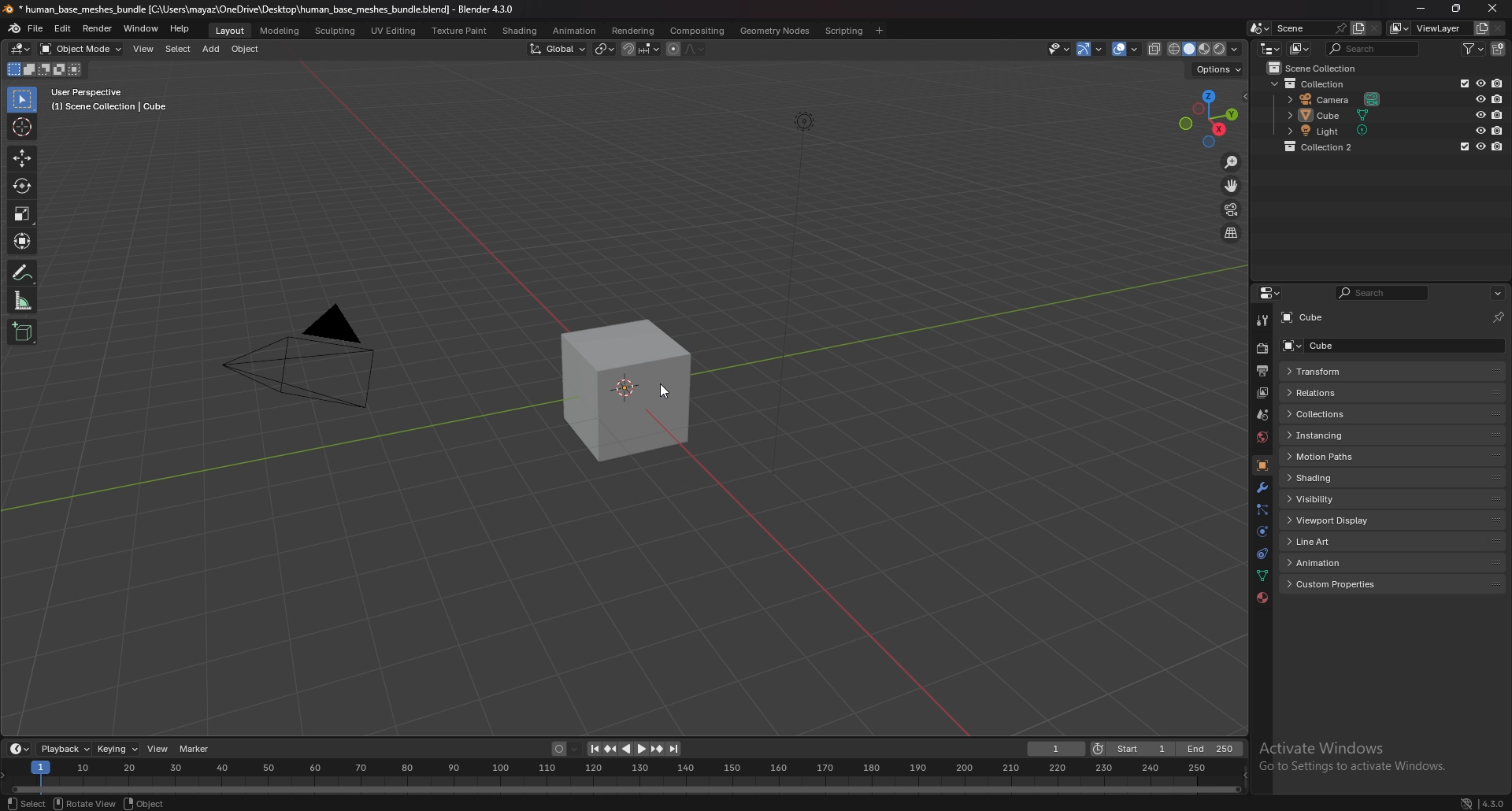 Image resolution: width=1512 pixels, height=811 pixels. I want to click on tool, so click(1263, 320).